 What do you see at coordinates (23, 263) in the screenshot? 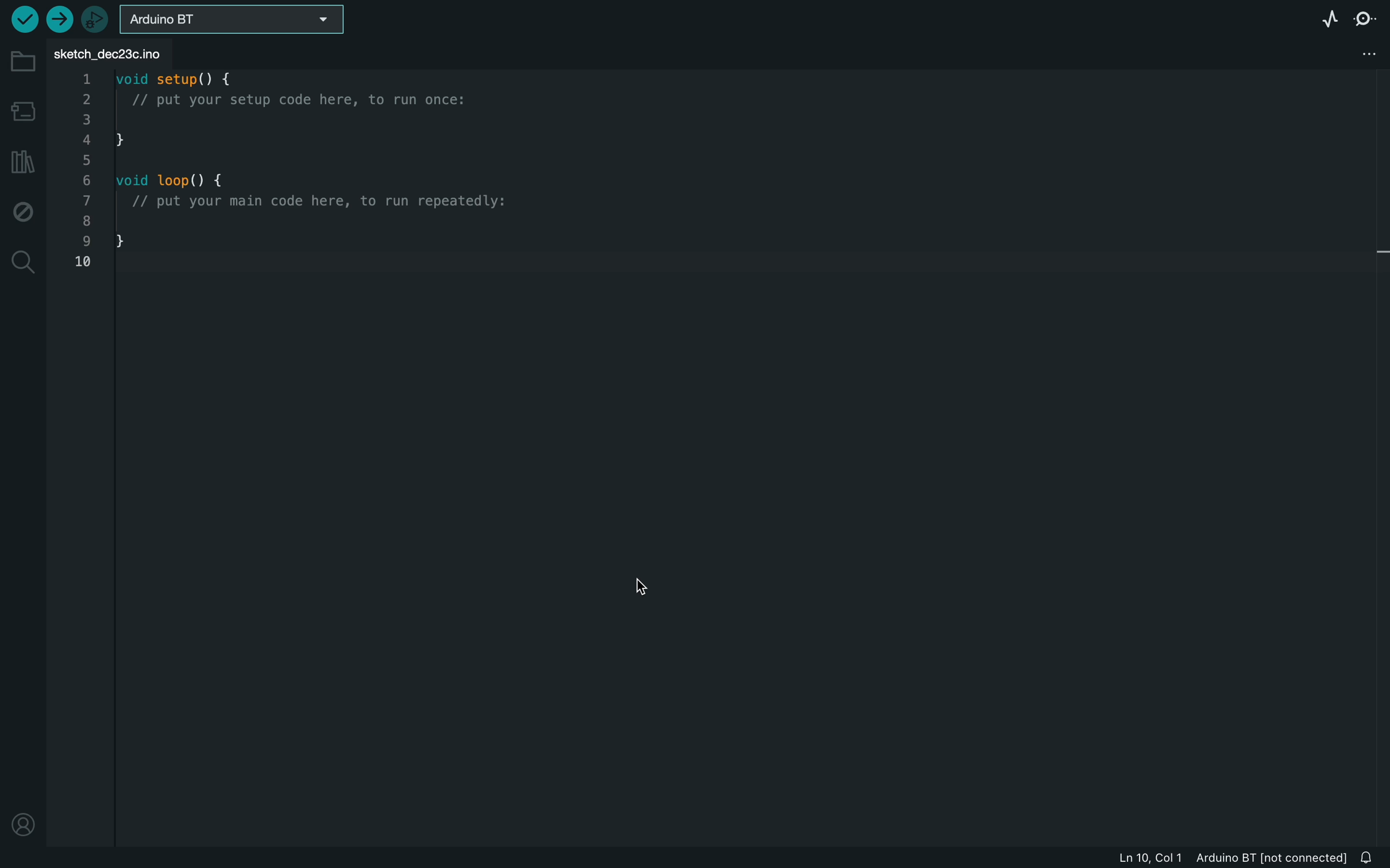
I see `search` at bounding box center [23, 263].